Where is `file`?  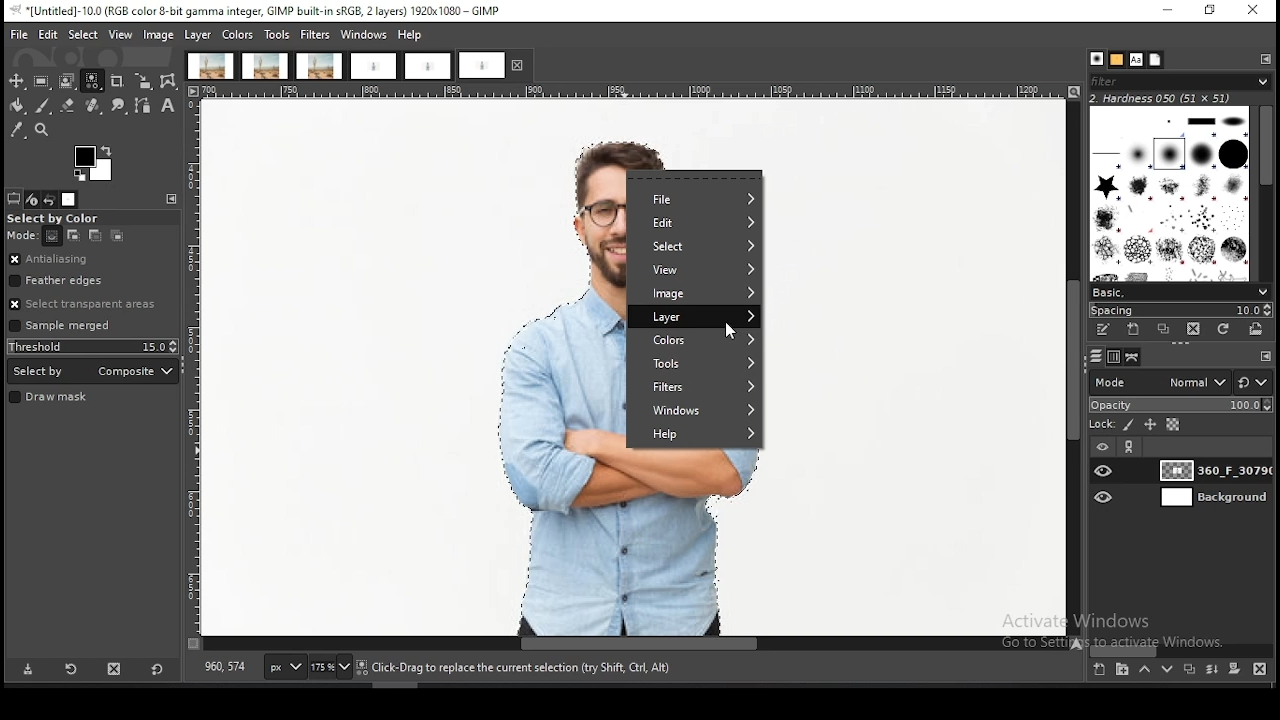
file is located at coordinates (20, 35).